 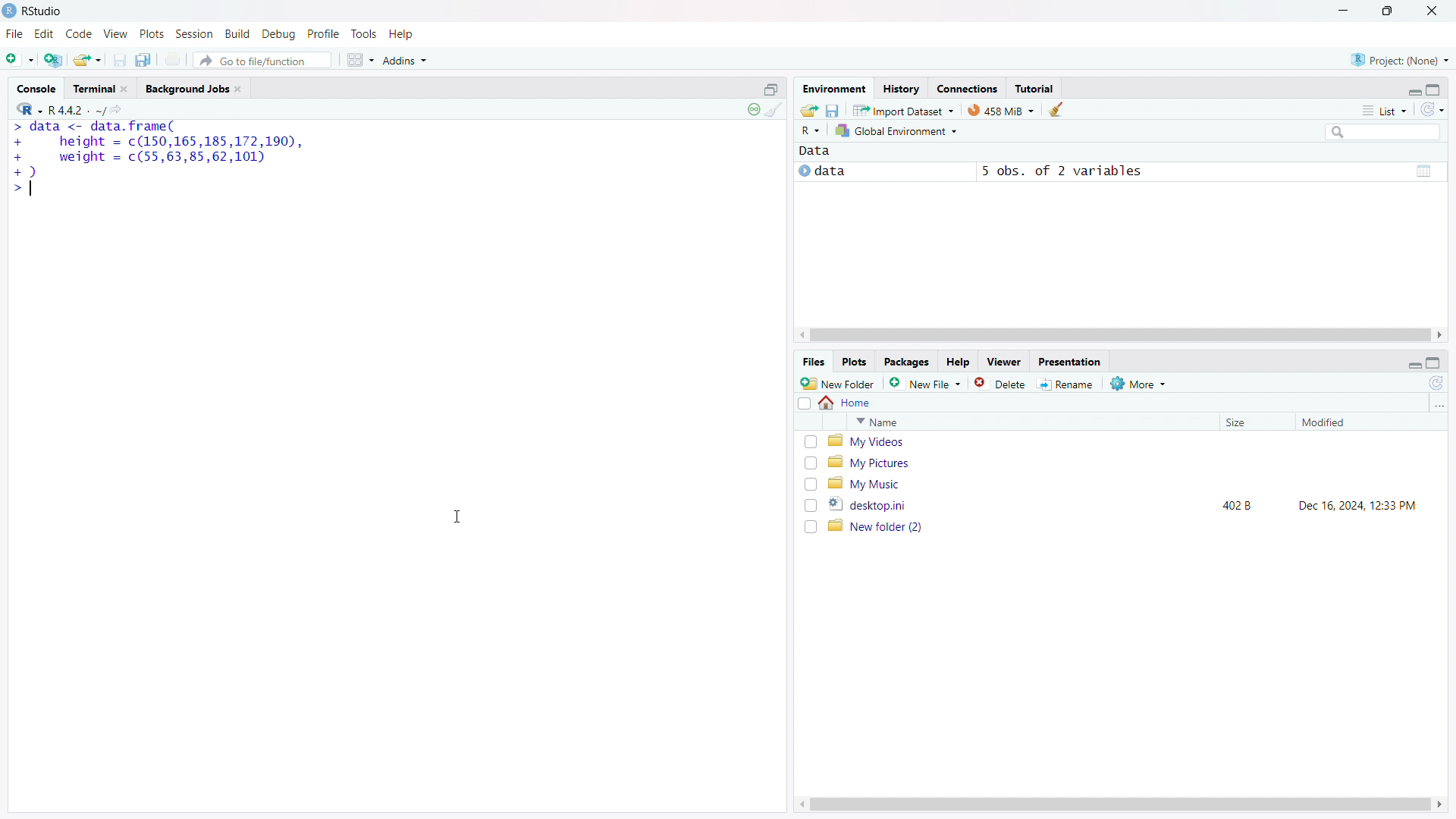 What do you see at coordinates (926, 383) in the screenshot?
I see `add new file` at bounding box center [926, 383].